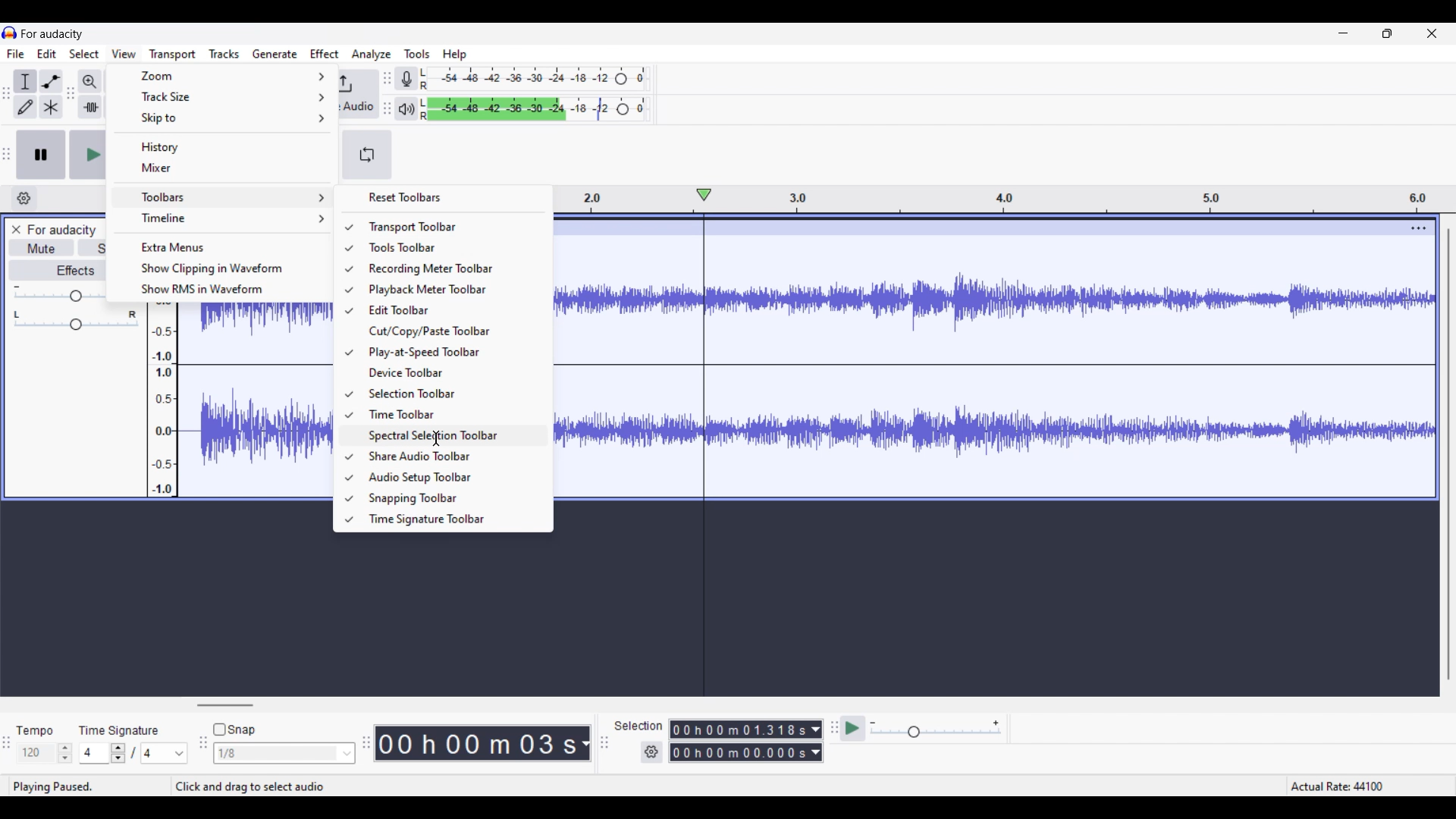 This screenshot has height=819, width=1456. Describe the element at coordinates (224, 54) in the screenshot. I see `Tracks menu` at that location.